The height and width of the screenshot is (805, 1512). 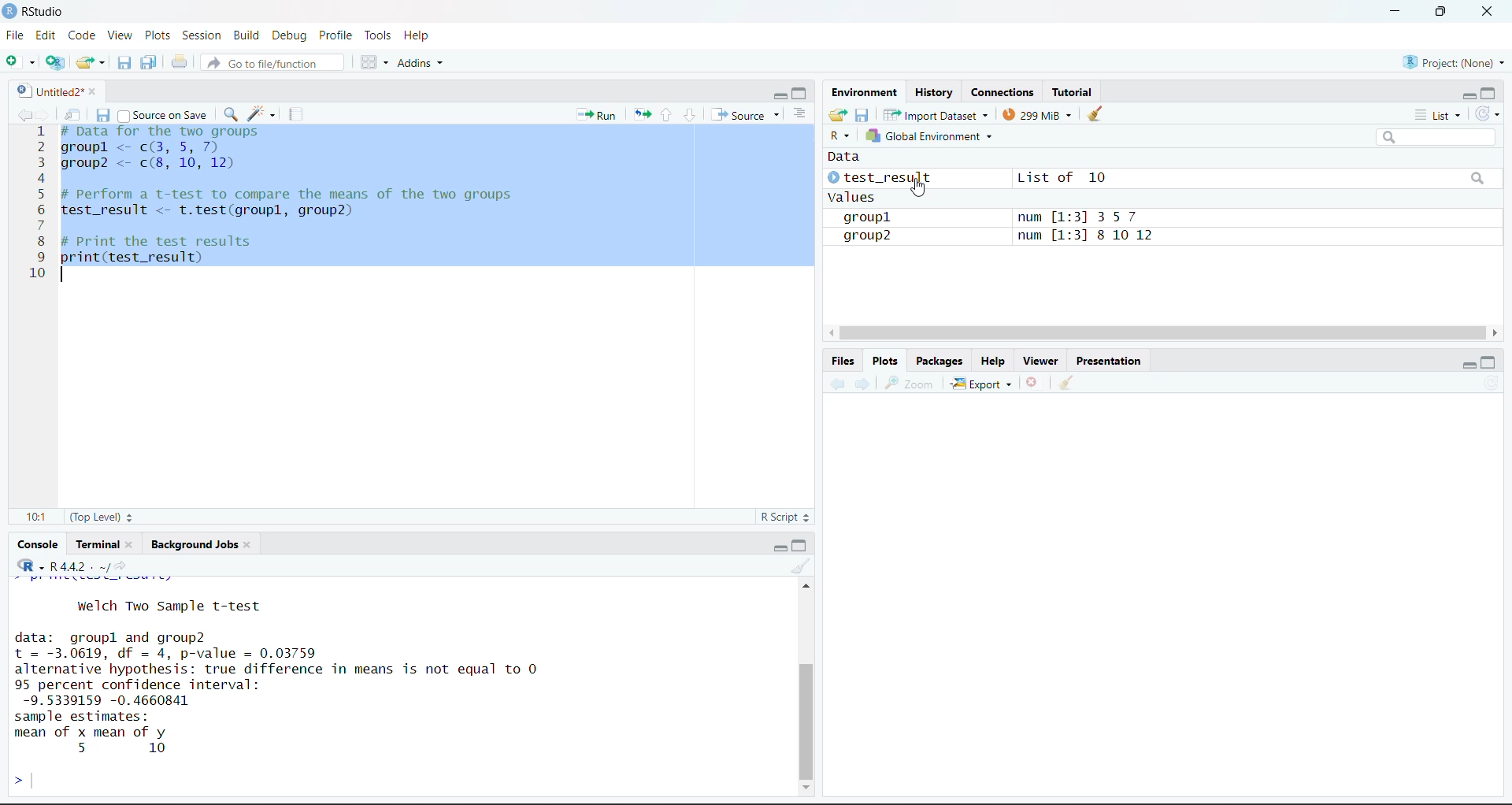 I want to click on save workspace as, so click(x=862, y=115).